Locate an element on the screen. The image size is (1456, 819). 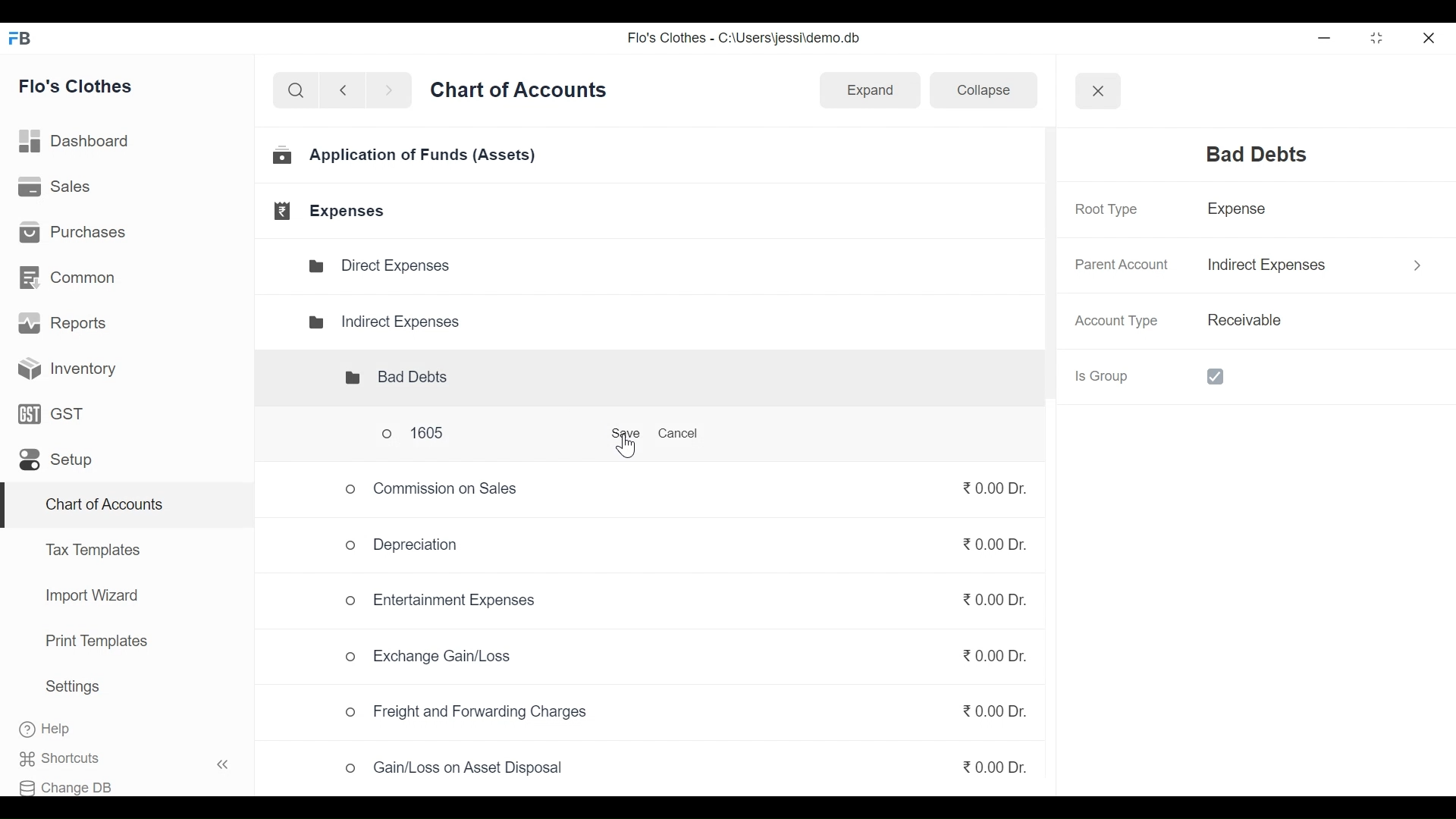
restore down is located at coordinates (1375, 39).